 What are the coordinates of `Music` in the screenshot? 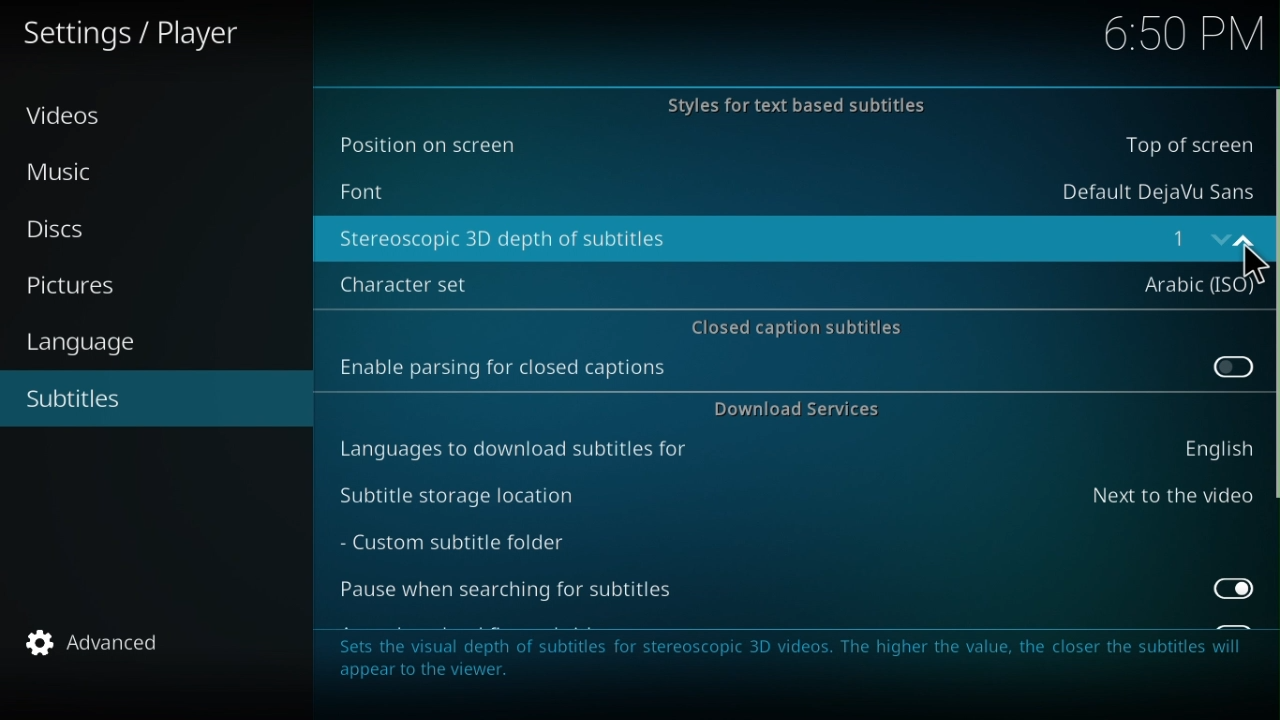 It's located at (79, 172).